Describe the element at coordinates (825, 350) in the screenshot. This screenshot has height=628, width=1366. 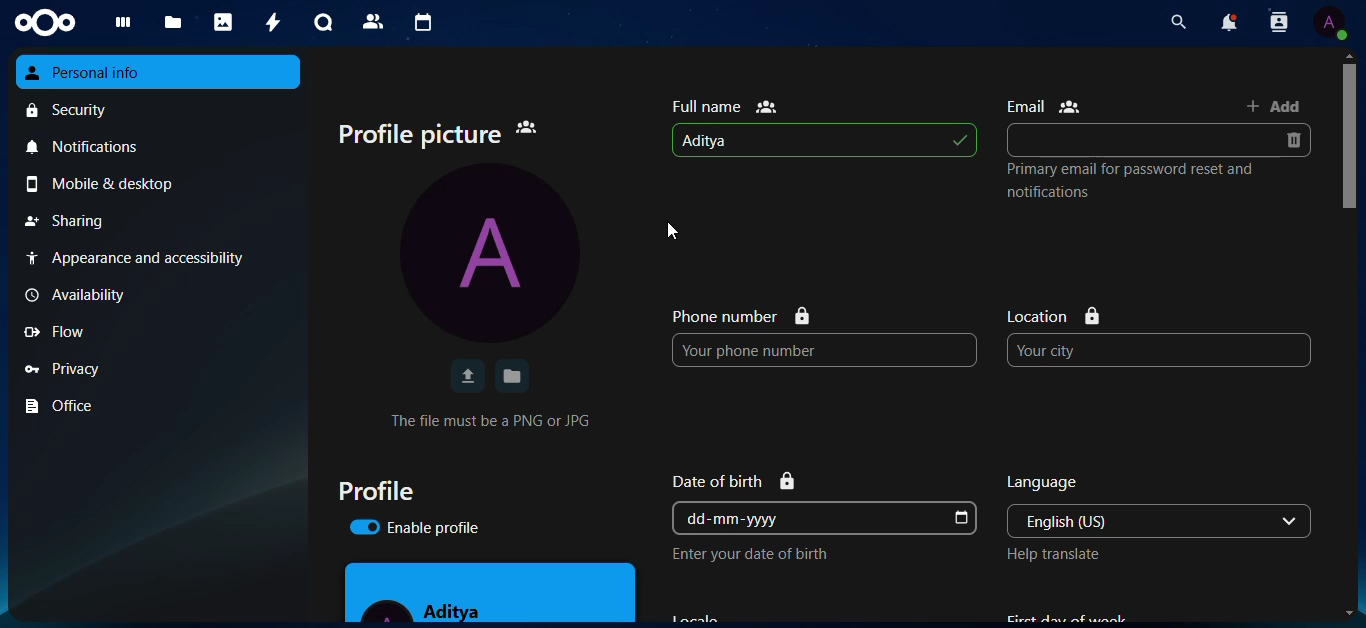
I see `Your phone number` at that location.